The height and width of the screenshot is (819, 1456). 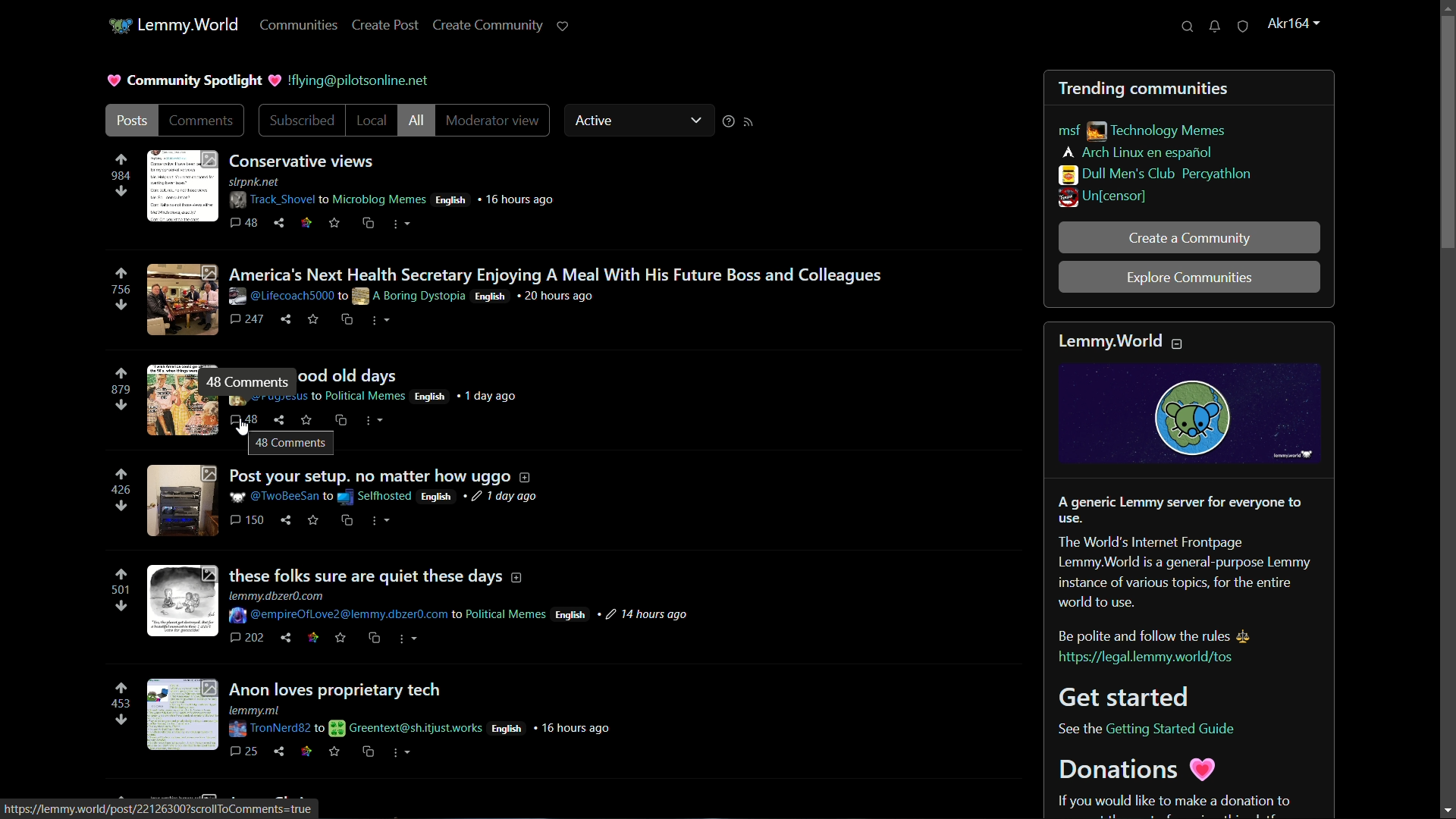 What do you see at coordinates (121, 274) in the screenshot?
I see `upvote` at bounding box center [121, 274].